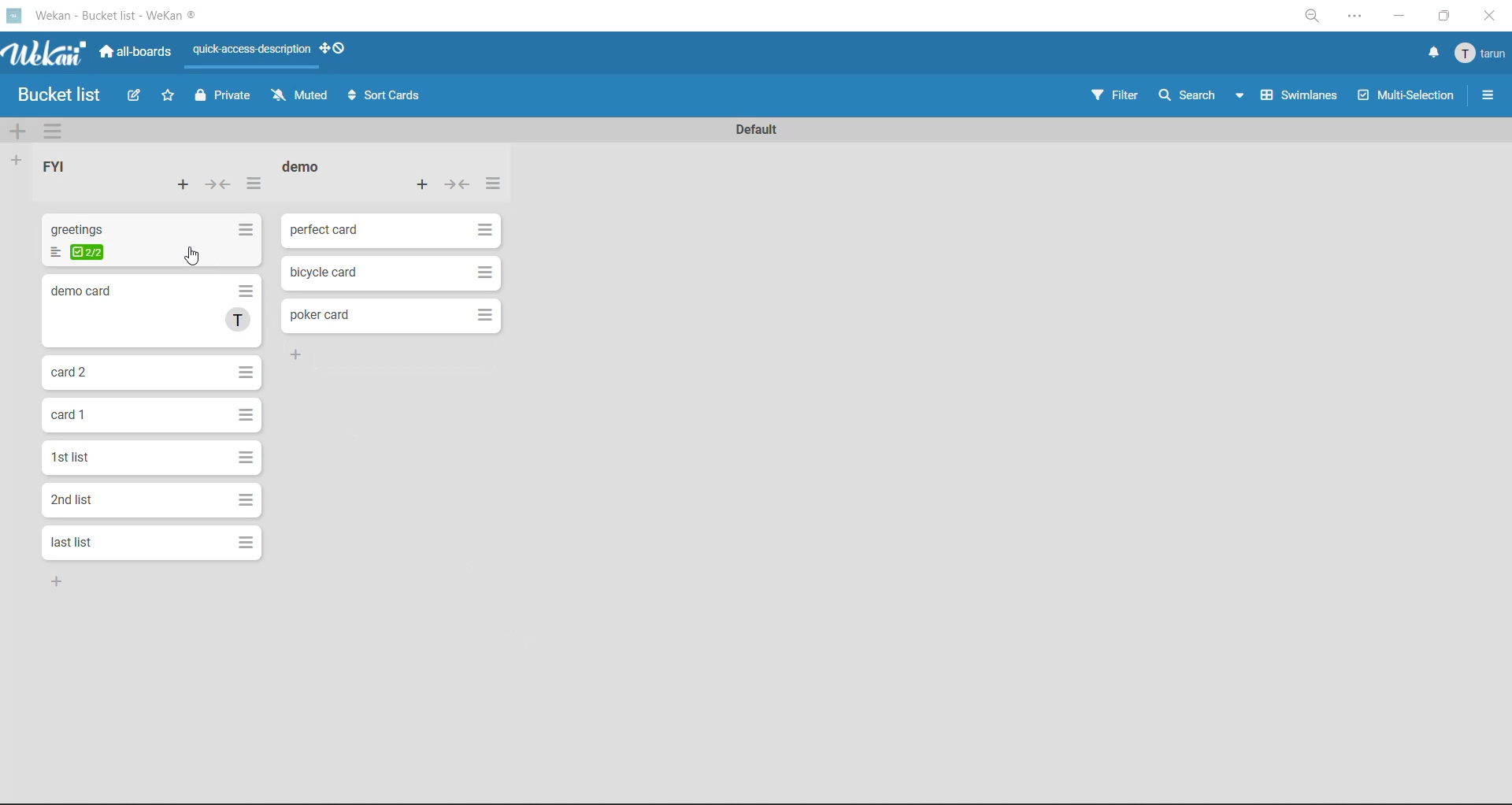  I want to click on swimlanes, so click(1300, 98).